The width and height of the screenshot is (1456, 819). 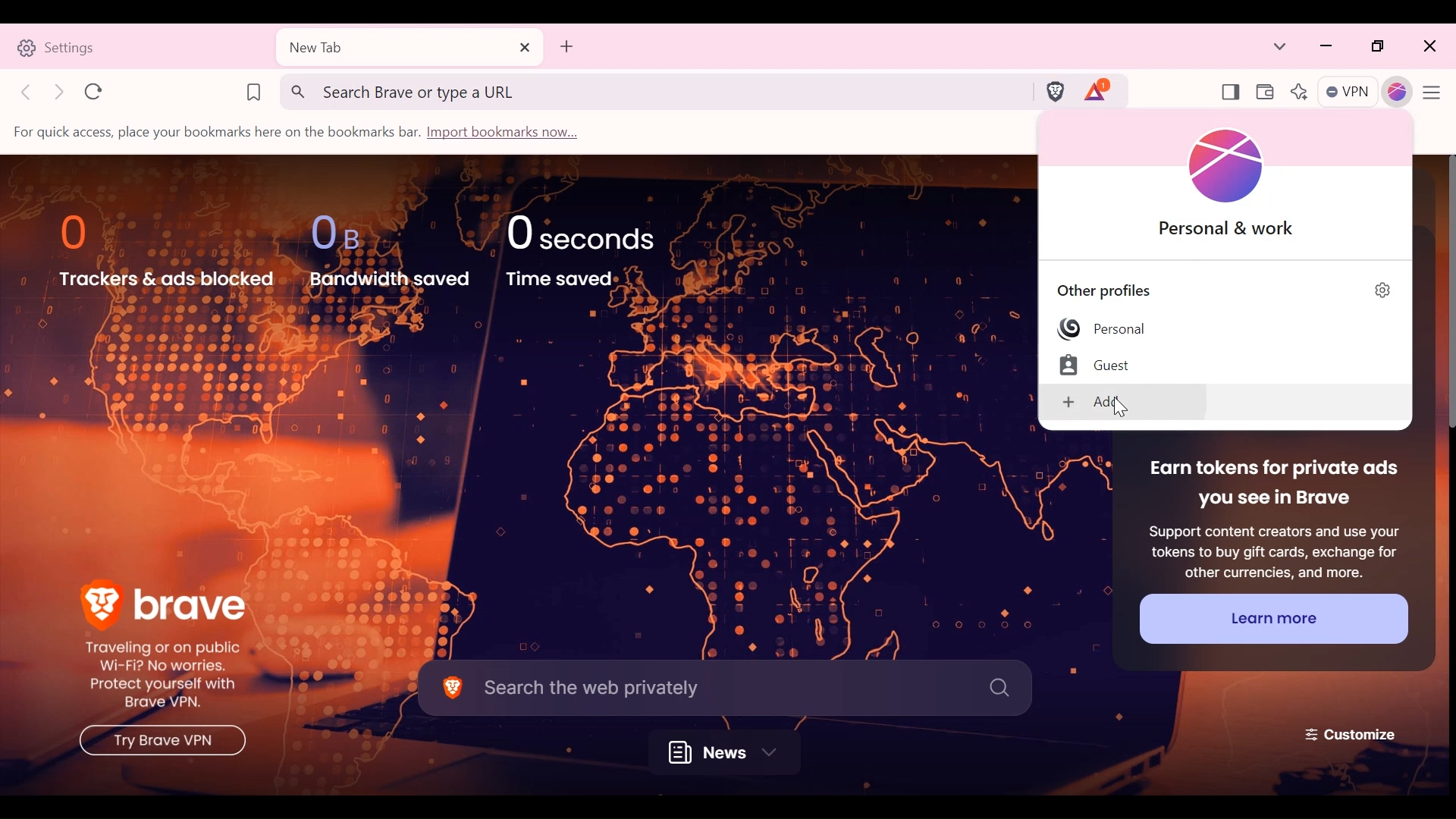 I want to click on Guest, so click(x=1107, y=365).